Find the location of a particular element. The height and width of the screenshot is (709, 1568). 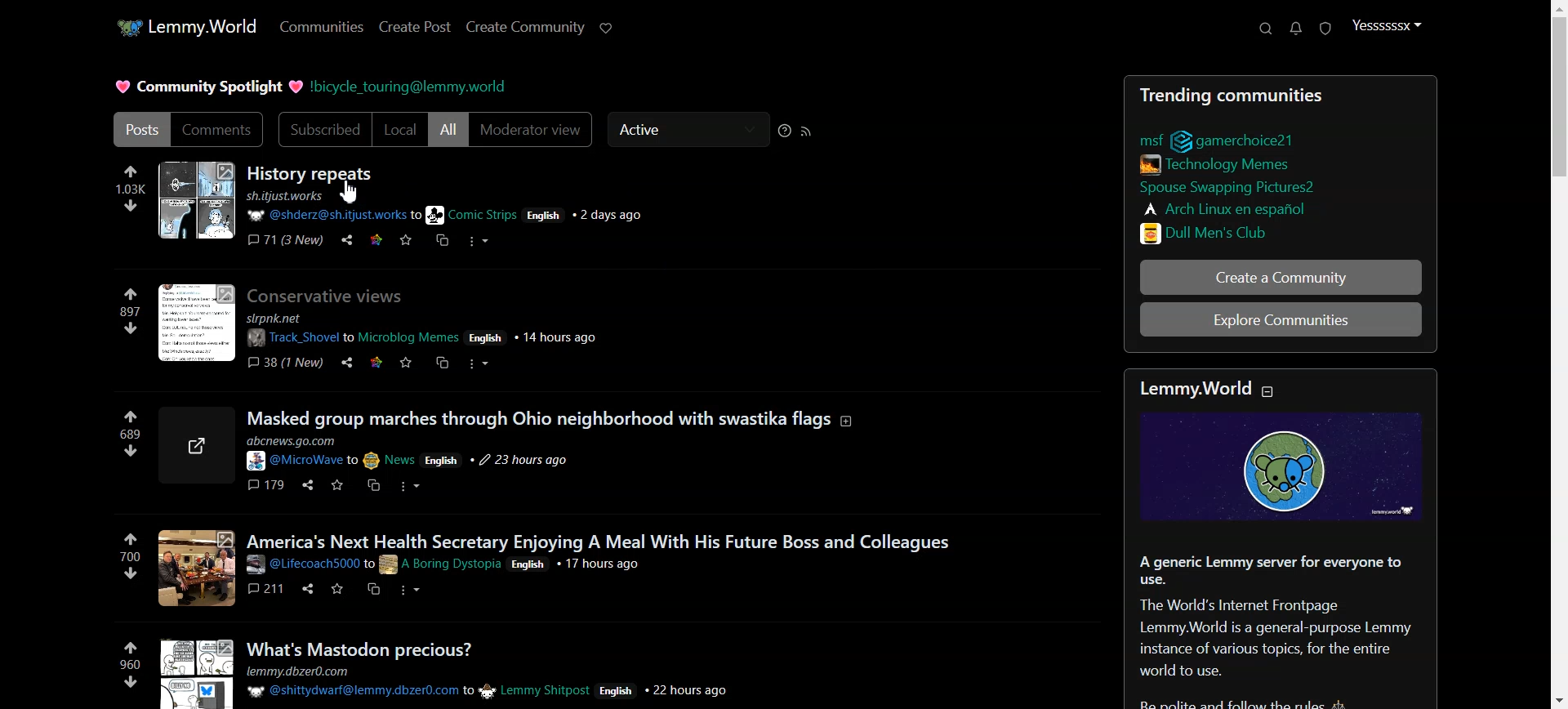

Save is located at coordinates (337, 591).